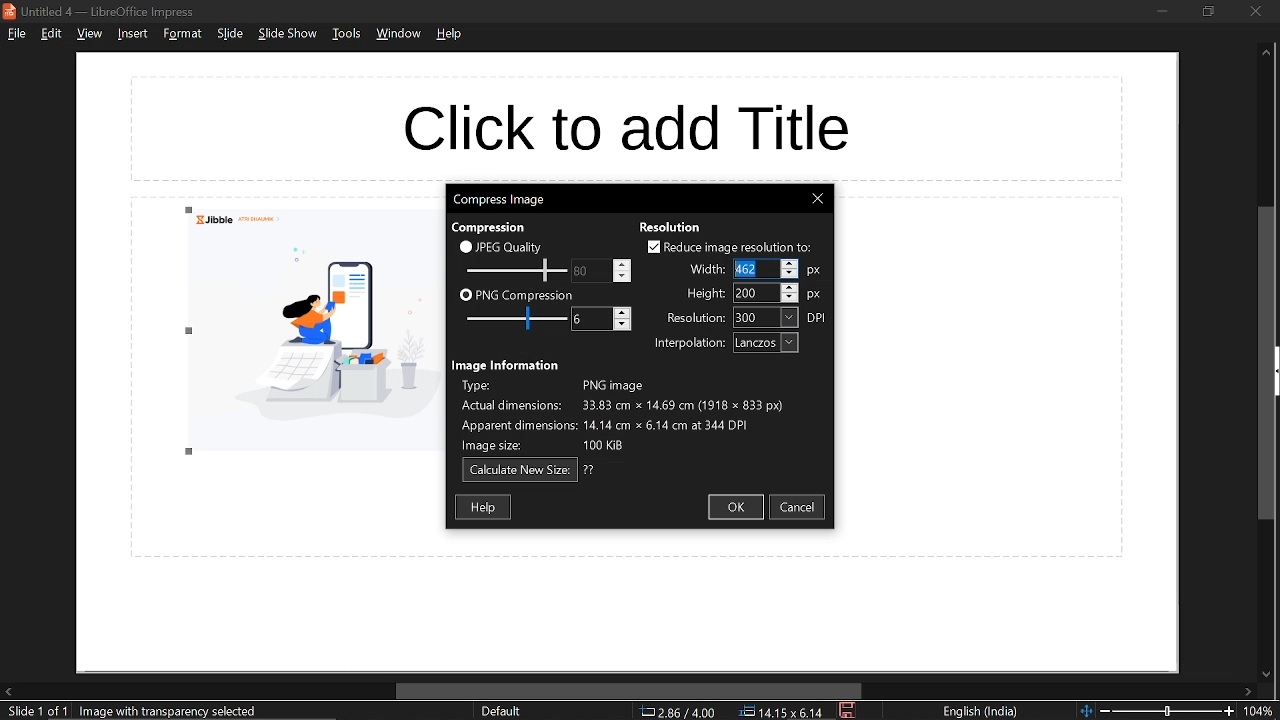 The width and height of the screenshot is (1280, 720). I want to click on decrease png compression, so click(622, 326).